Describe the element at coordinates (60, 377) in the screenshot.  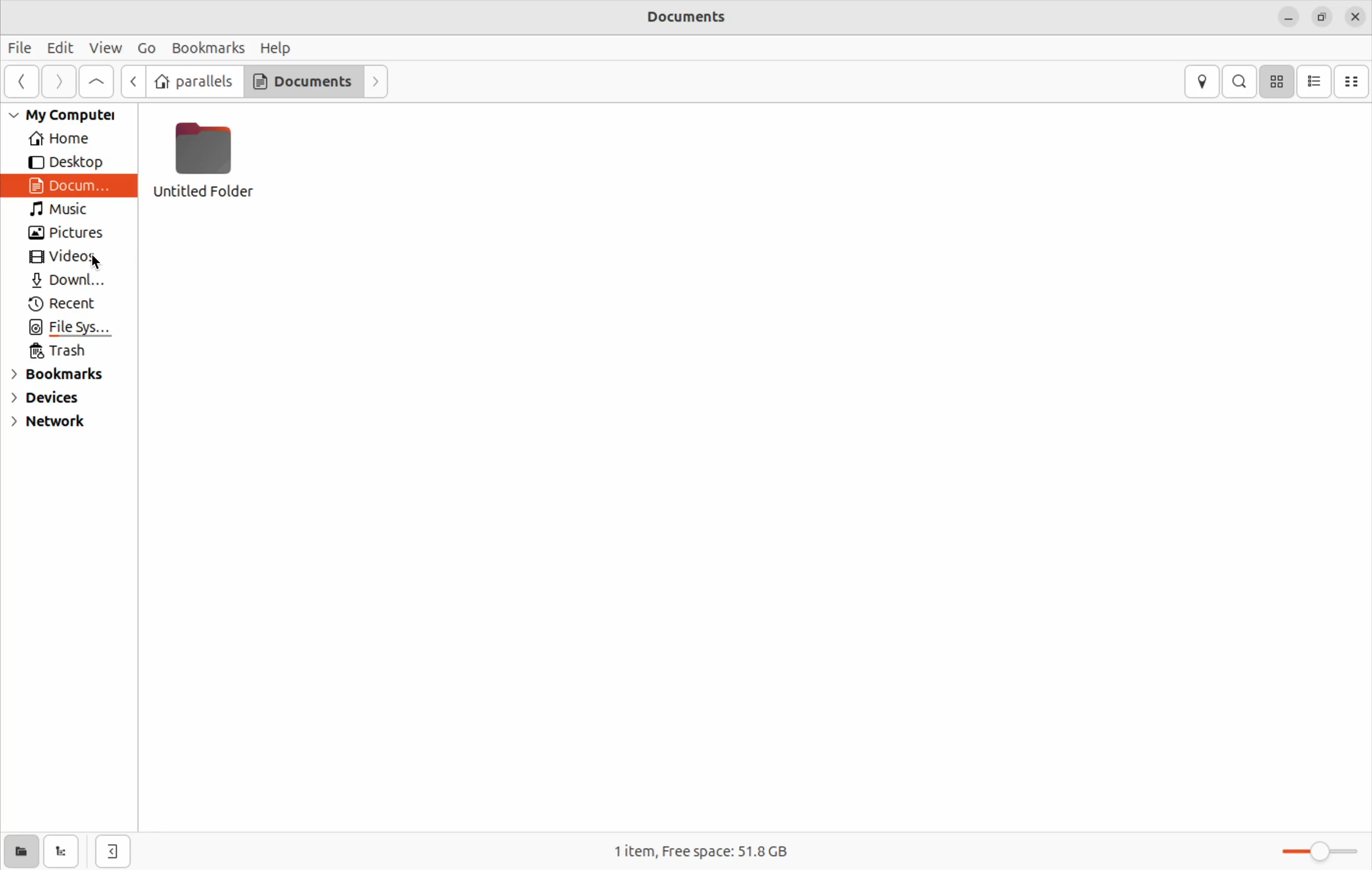
I see `Bookmarks` at that location.